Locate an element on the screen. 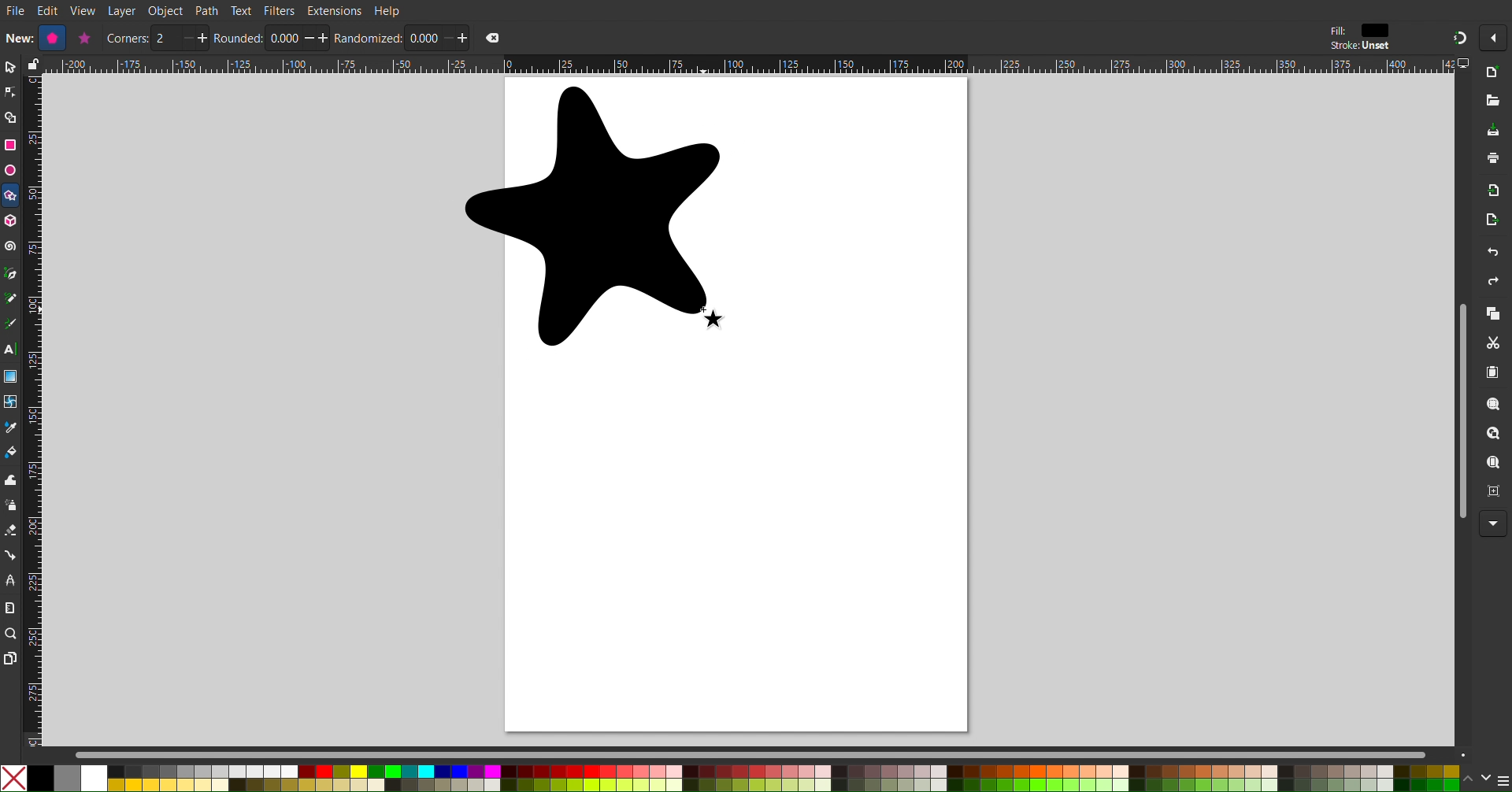 This screenshot has width=1512, height=792. Shape Builder Tool is located at coordinates (11, 118).